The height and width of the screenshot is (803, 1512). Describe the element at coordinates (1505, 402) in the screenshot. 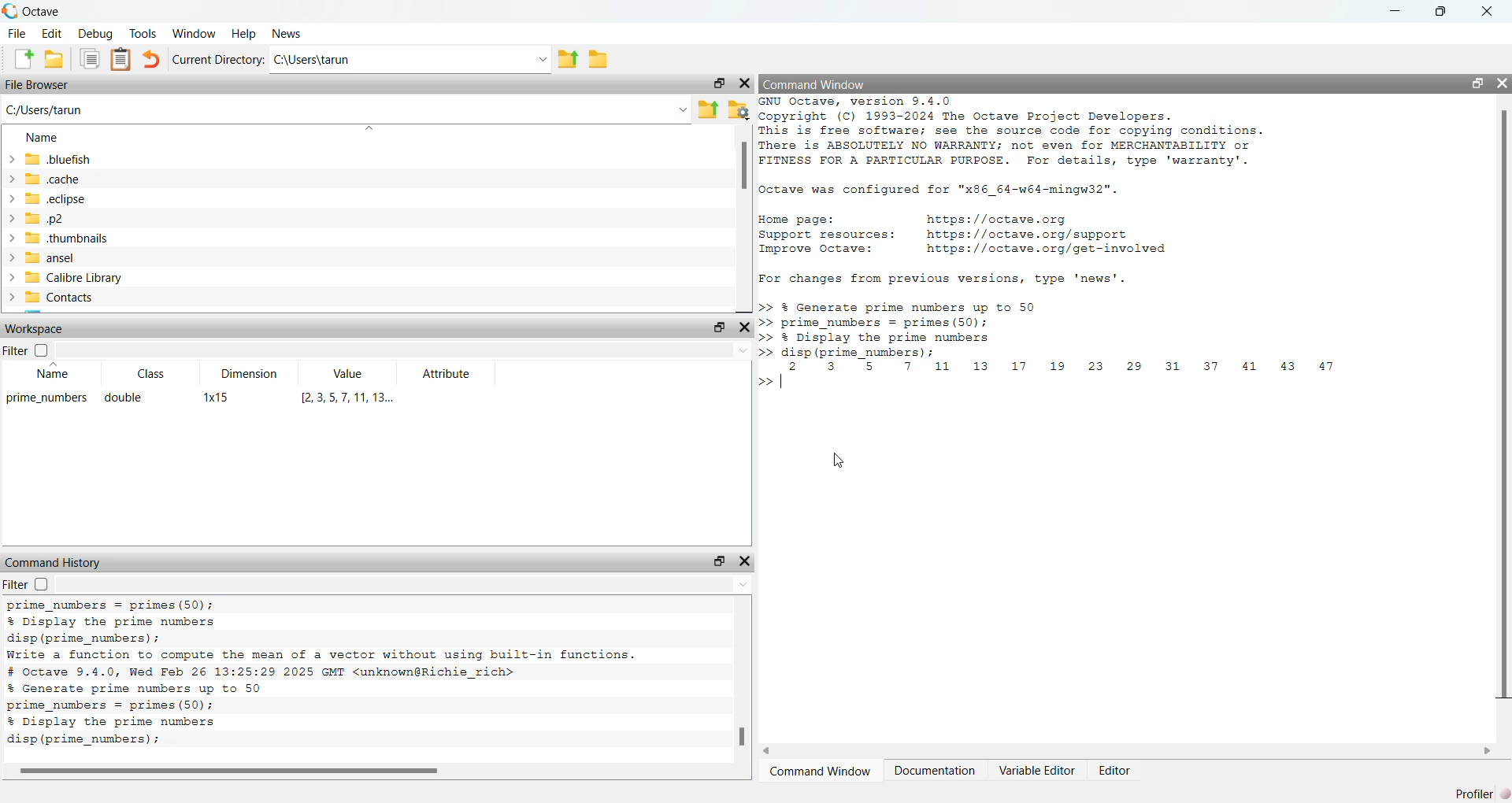

I see `scroll bar` at that location.